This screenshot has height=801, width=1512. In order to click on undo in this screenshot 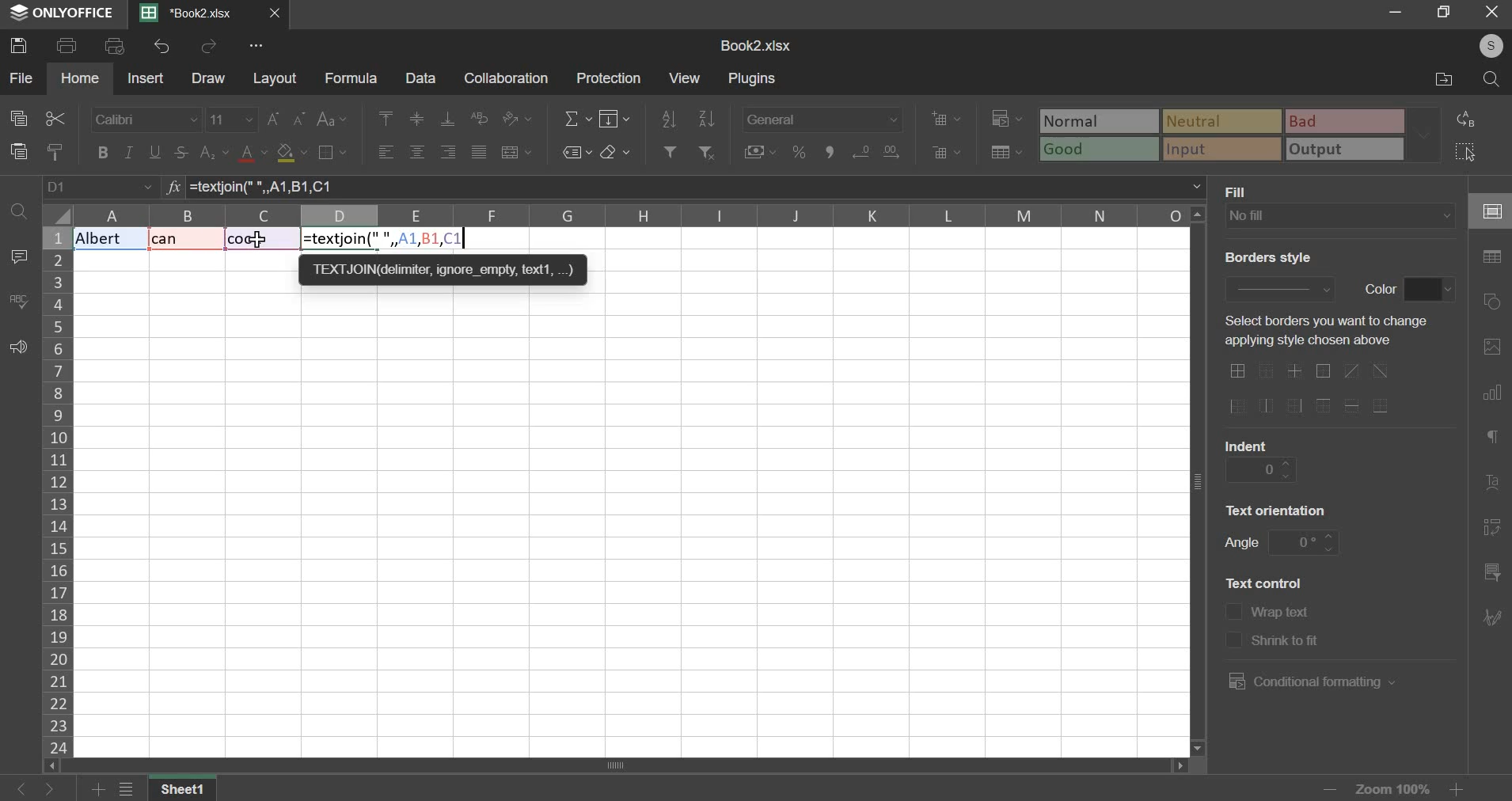, I will do `click(161, 46)`.